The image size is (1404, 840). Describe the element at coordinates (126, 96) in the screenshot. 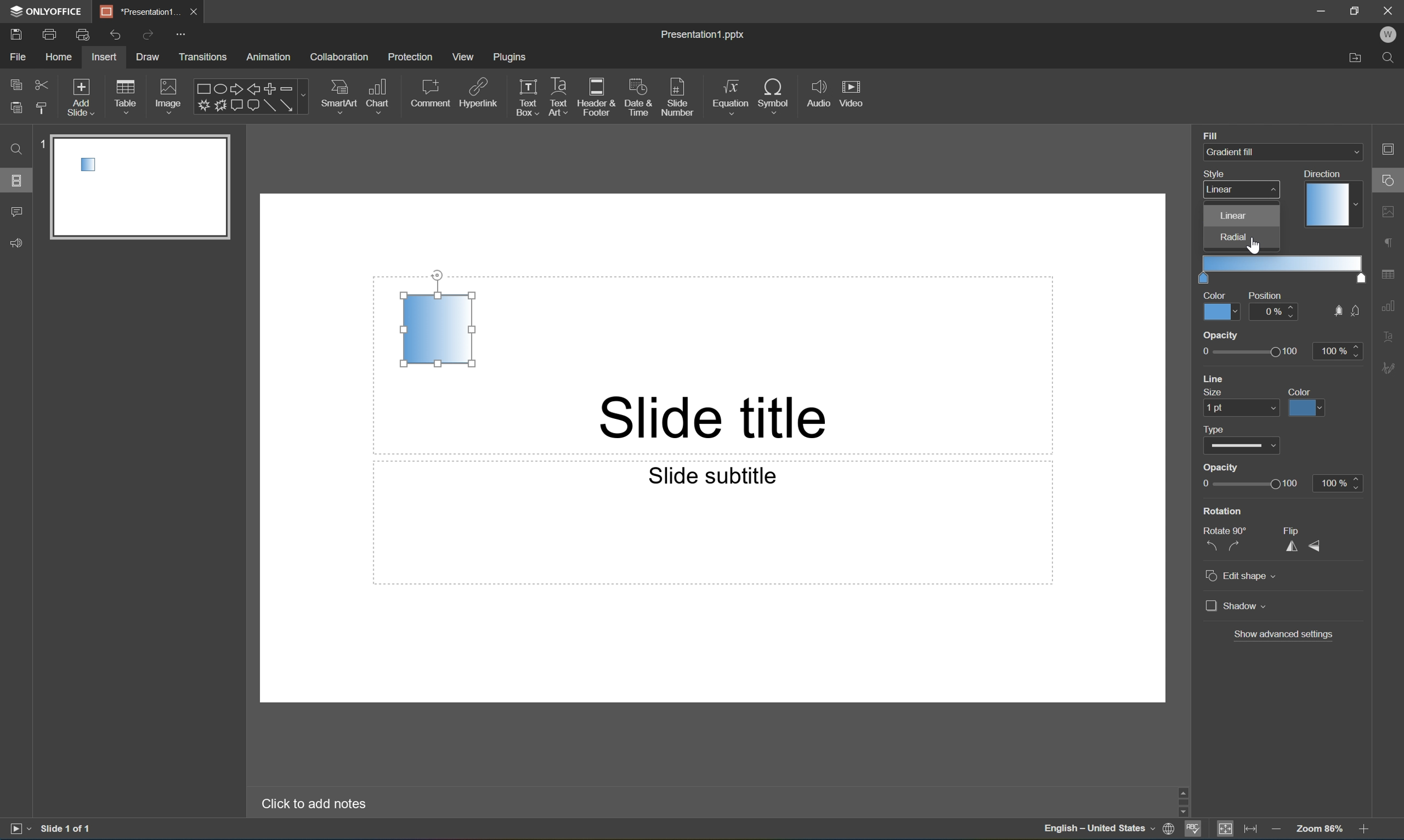

I see `Table` at that location.